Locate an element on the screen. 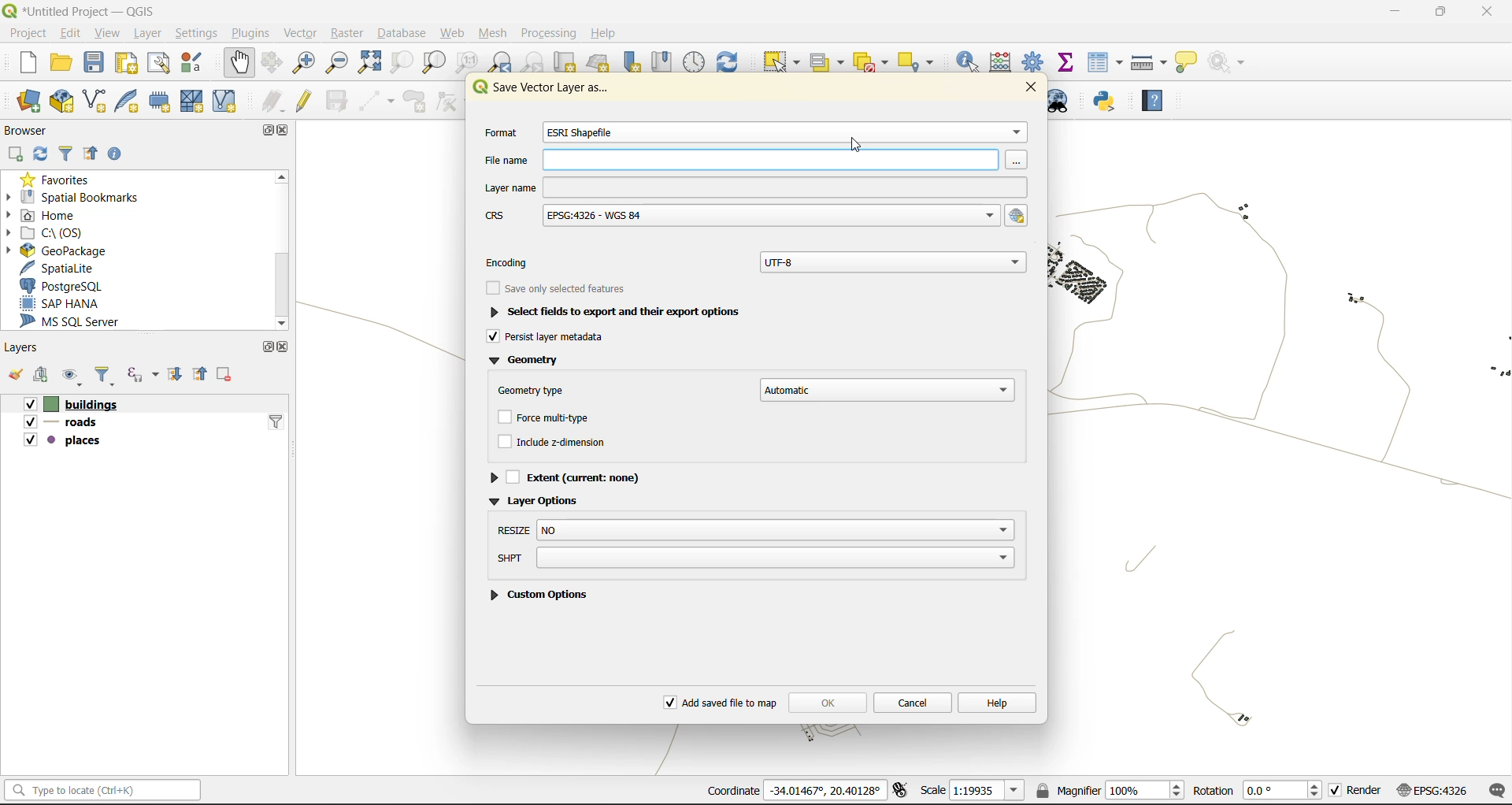 This screenshot has width=1512, height=805. persist layer metadata is located at coordinates (556, 338).